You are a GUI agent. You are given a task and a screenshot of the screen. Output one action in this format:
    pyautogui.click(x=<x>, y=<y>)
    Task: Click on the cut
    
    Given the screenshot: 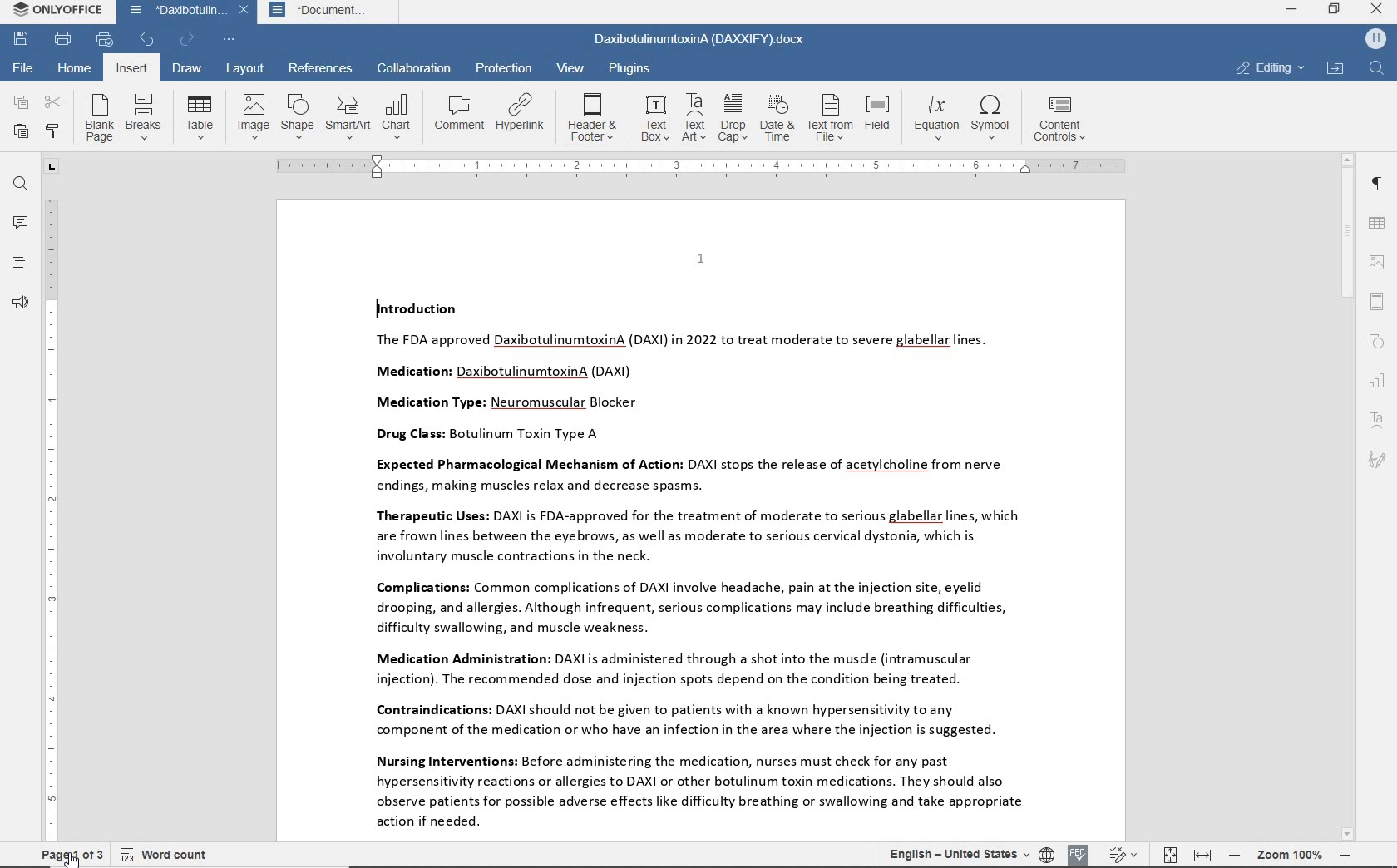 What is the action you would take?
    pyautogui.click(x=53, y=102)
    